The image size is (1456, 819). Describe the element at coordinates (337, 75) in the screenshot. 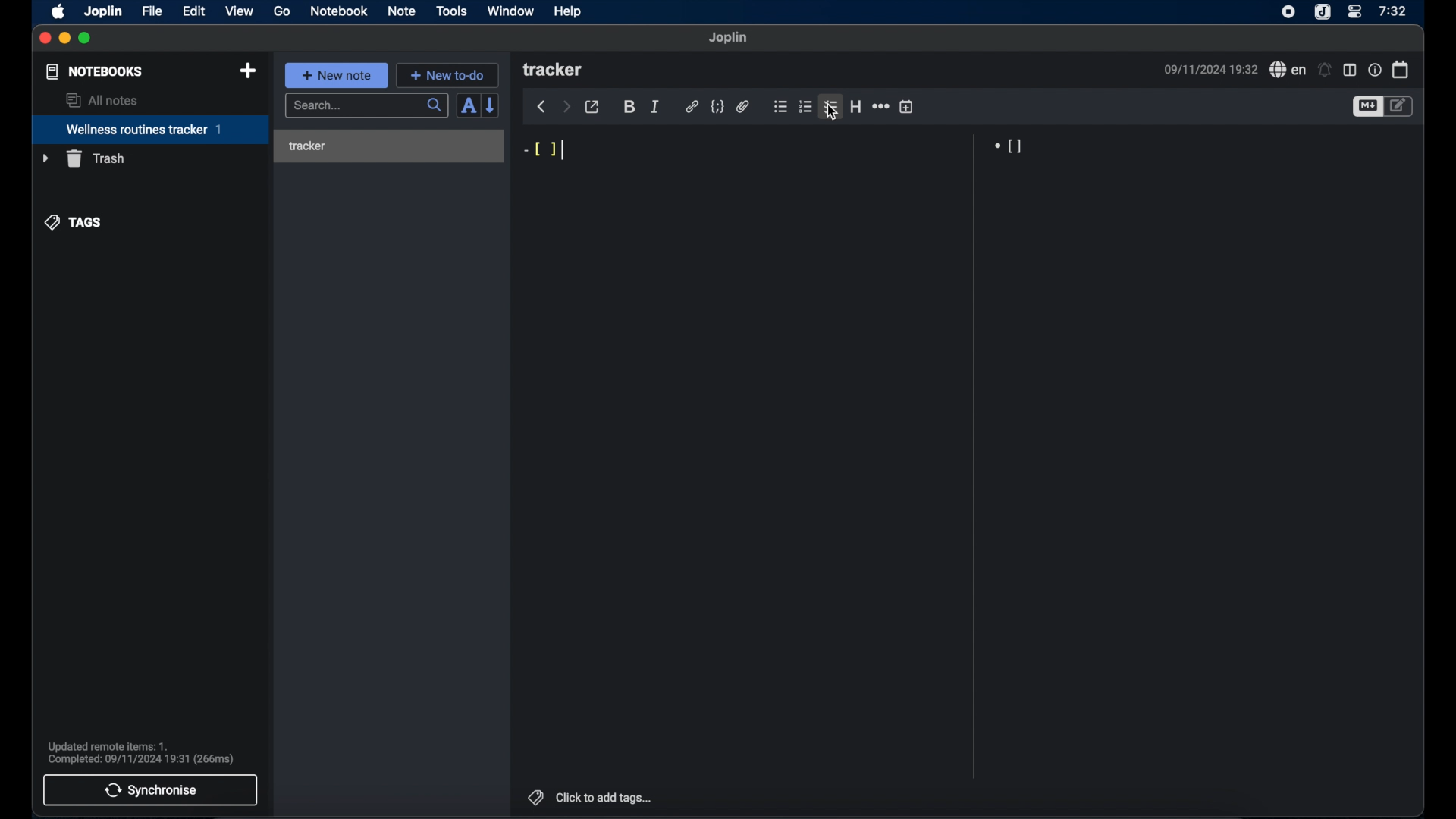

I see `+ new note` at that location.